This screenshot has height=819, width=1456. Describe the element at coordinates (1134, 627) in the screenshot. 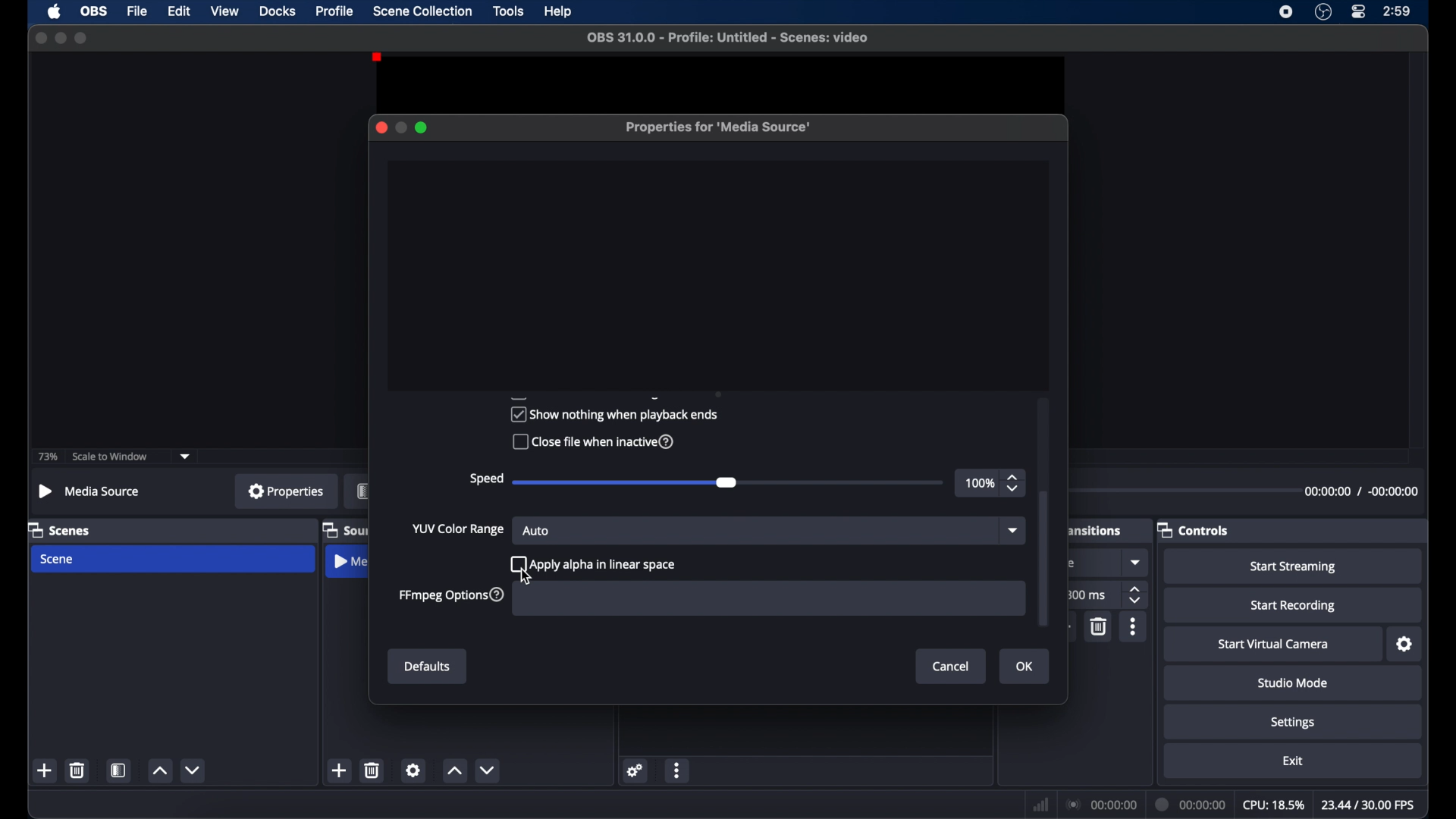

I see `more options` at that location.